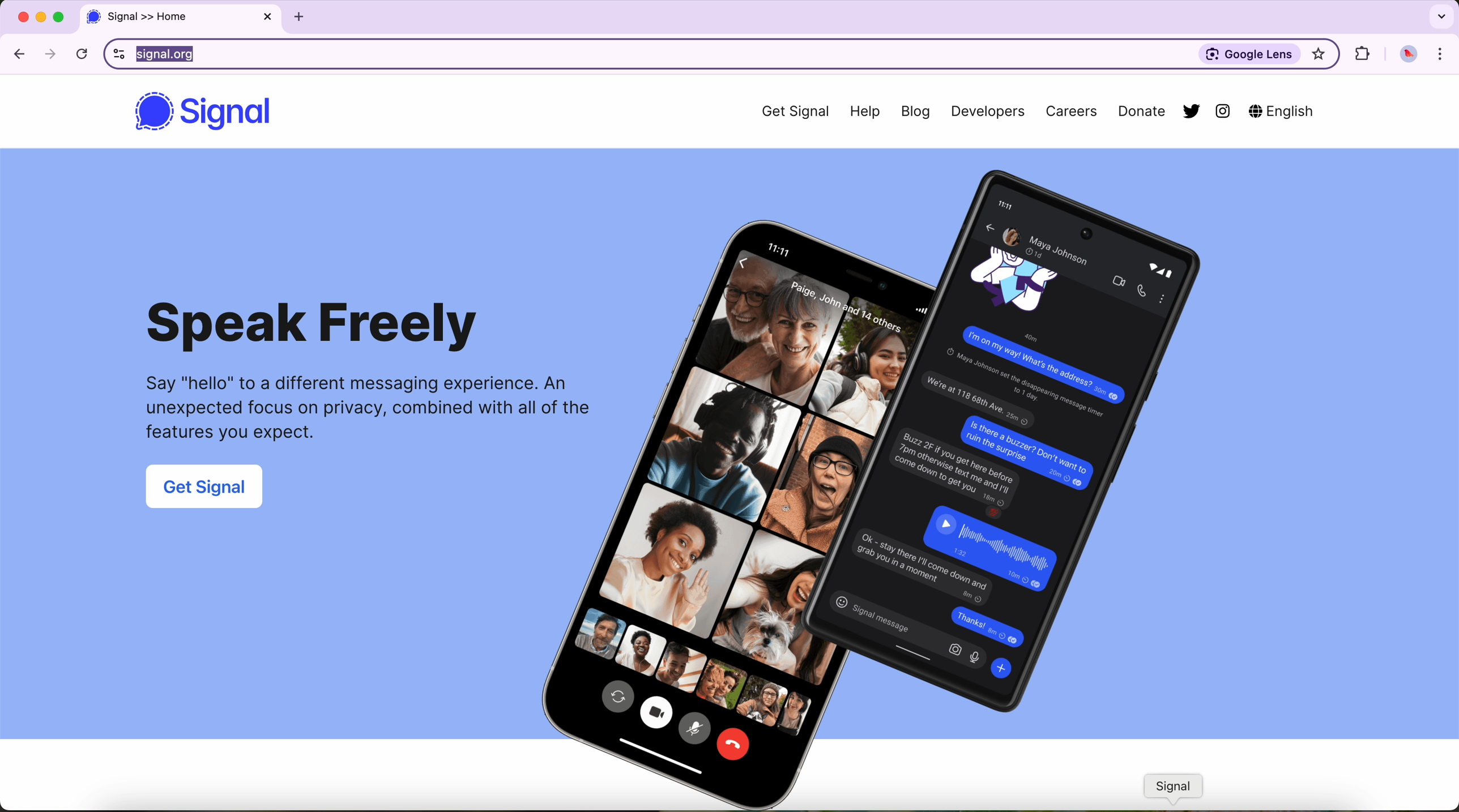 The image size is (1459, 812). I want to click on Speak Freely, so click(317, 326).